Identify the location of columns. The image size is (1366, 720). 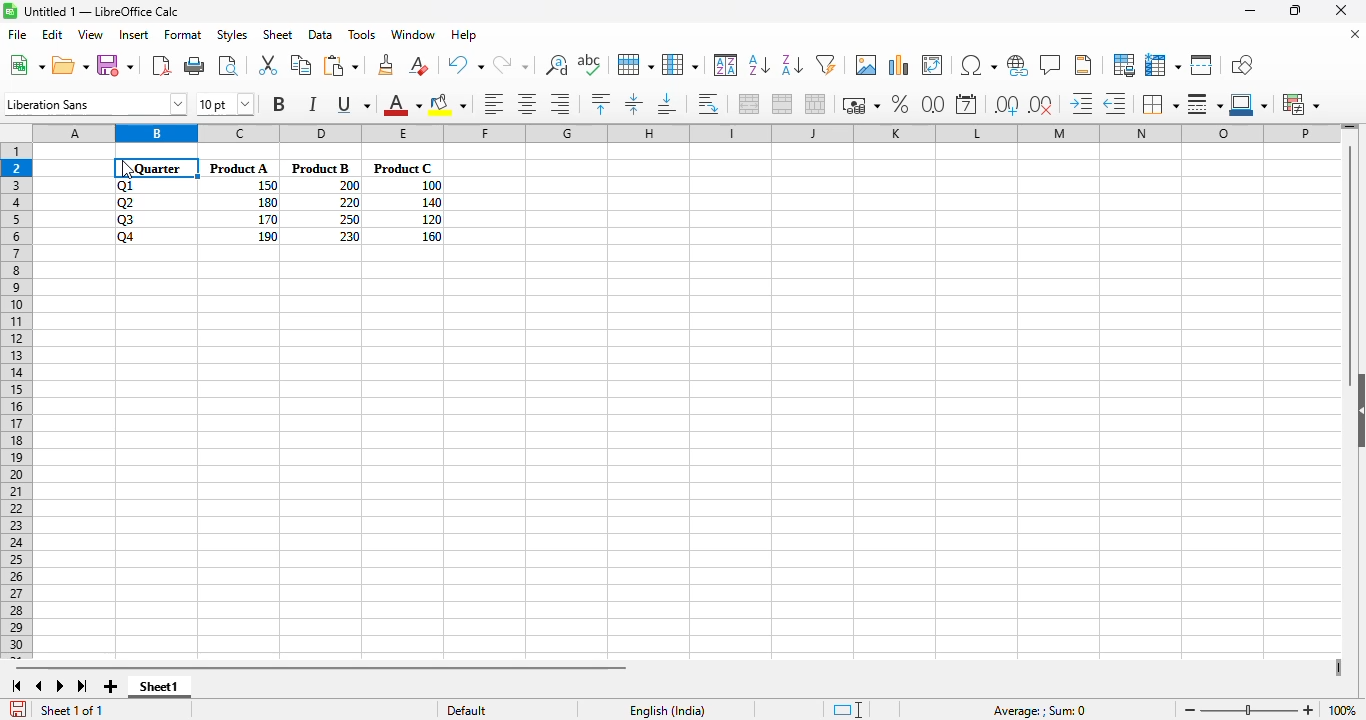
(686, 132).